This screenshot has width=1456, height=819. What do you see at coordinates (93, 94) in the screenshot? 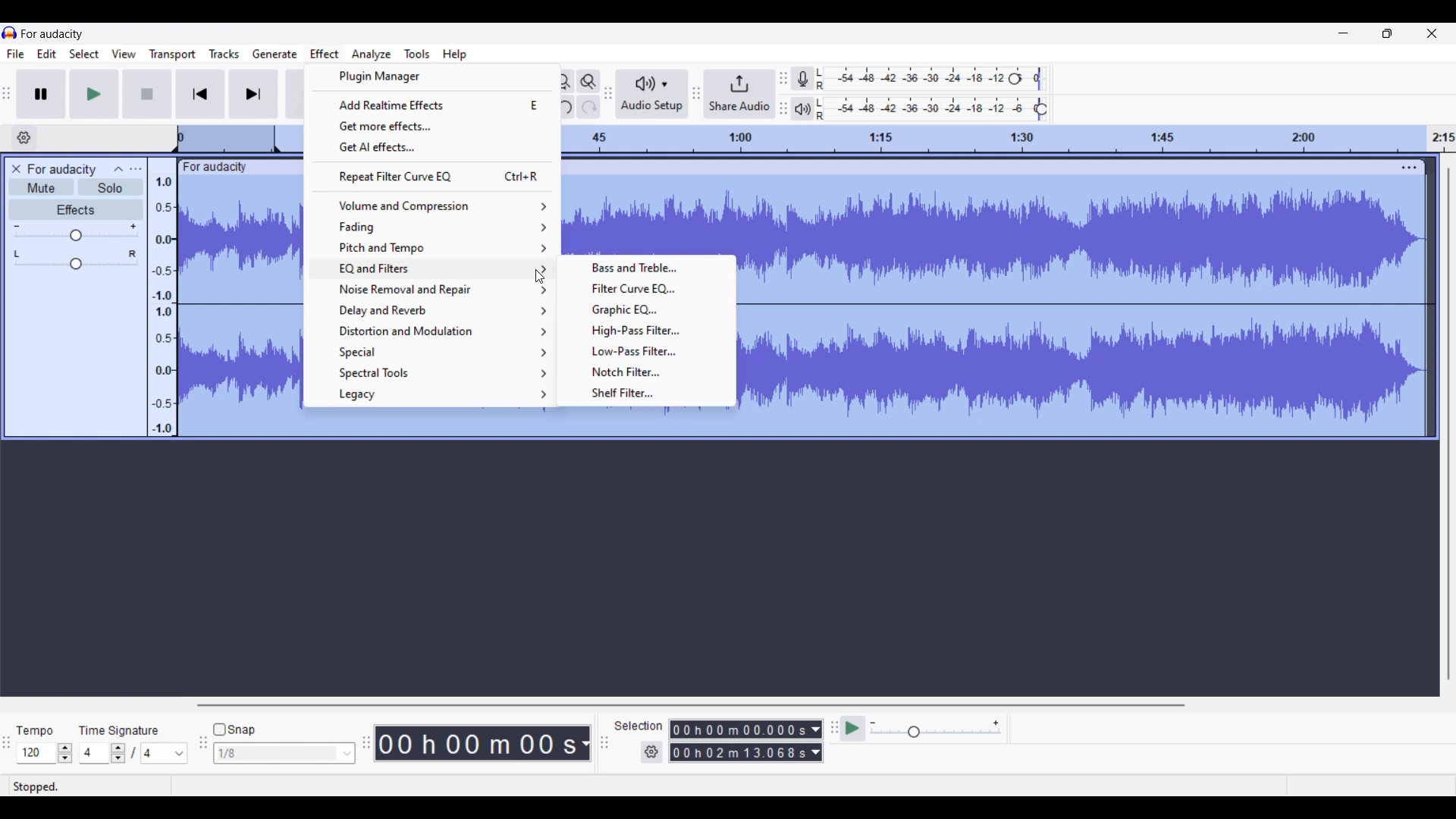
I see `Play/Play once` at bounding box center [93, 94].